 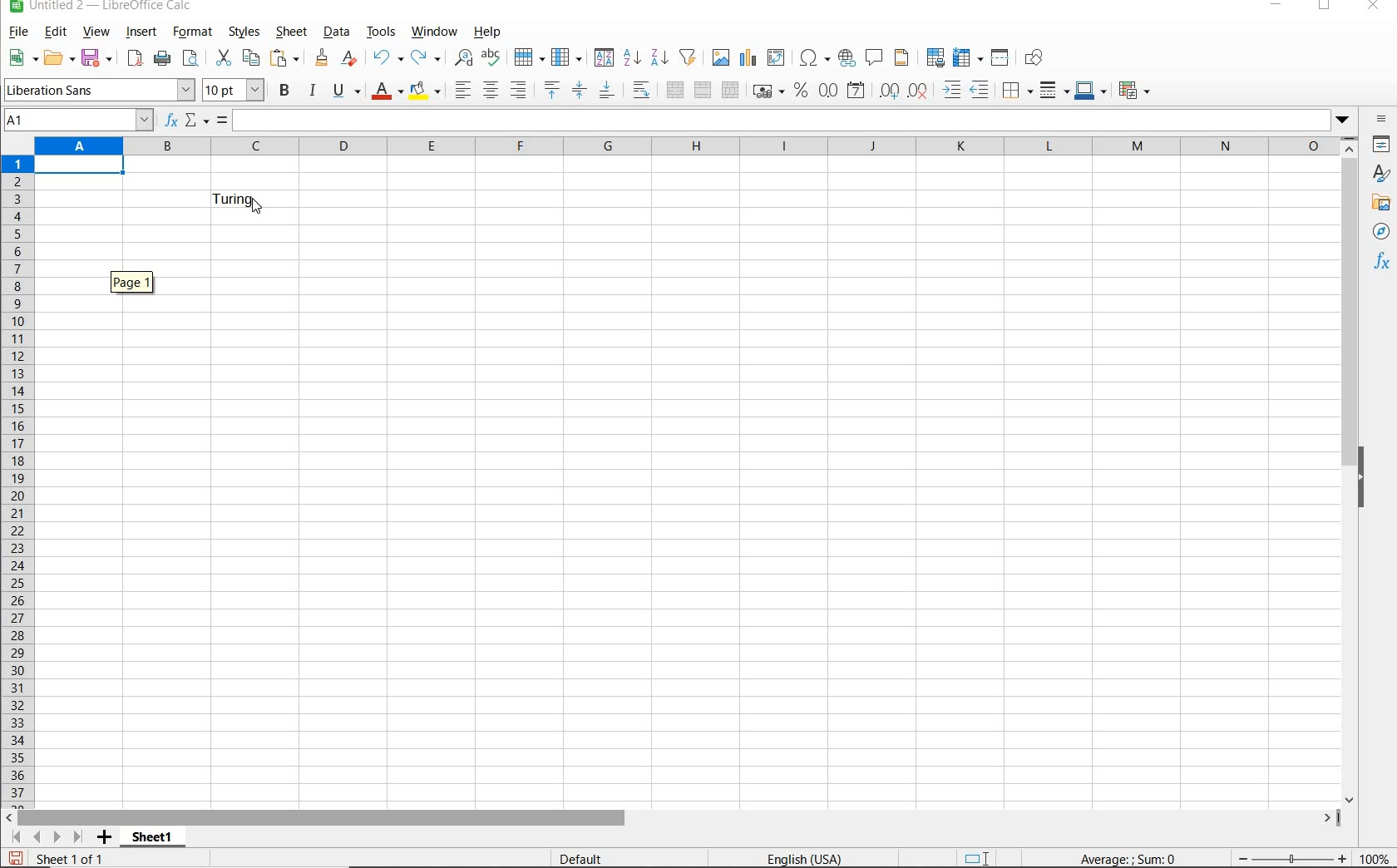 What do you see at coordinates (918, 91) in the screenshot?
I see `DELETE DECIMAL PLACE` at bounding box center [918, 91].